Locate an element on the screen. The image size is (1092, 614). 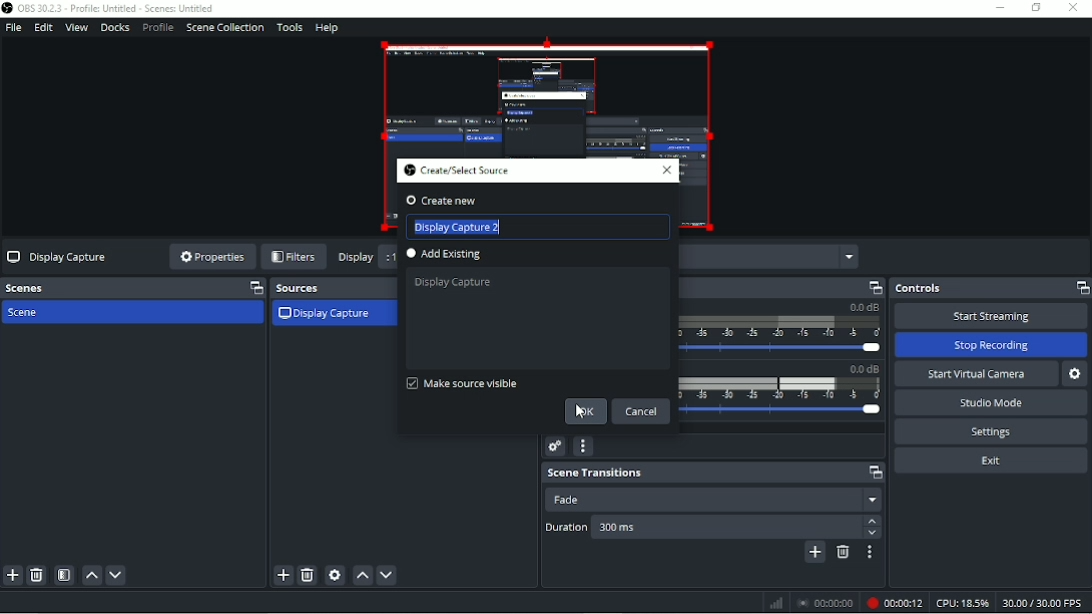
Audio mixer is located at coordinates (782, 288).